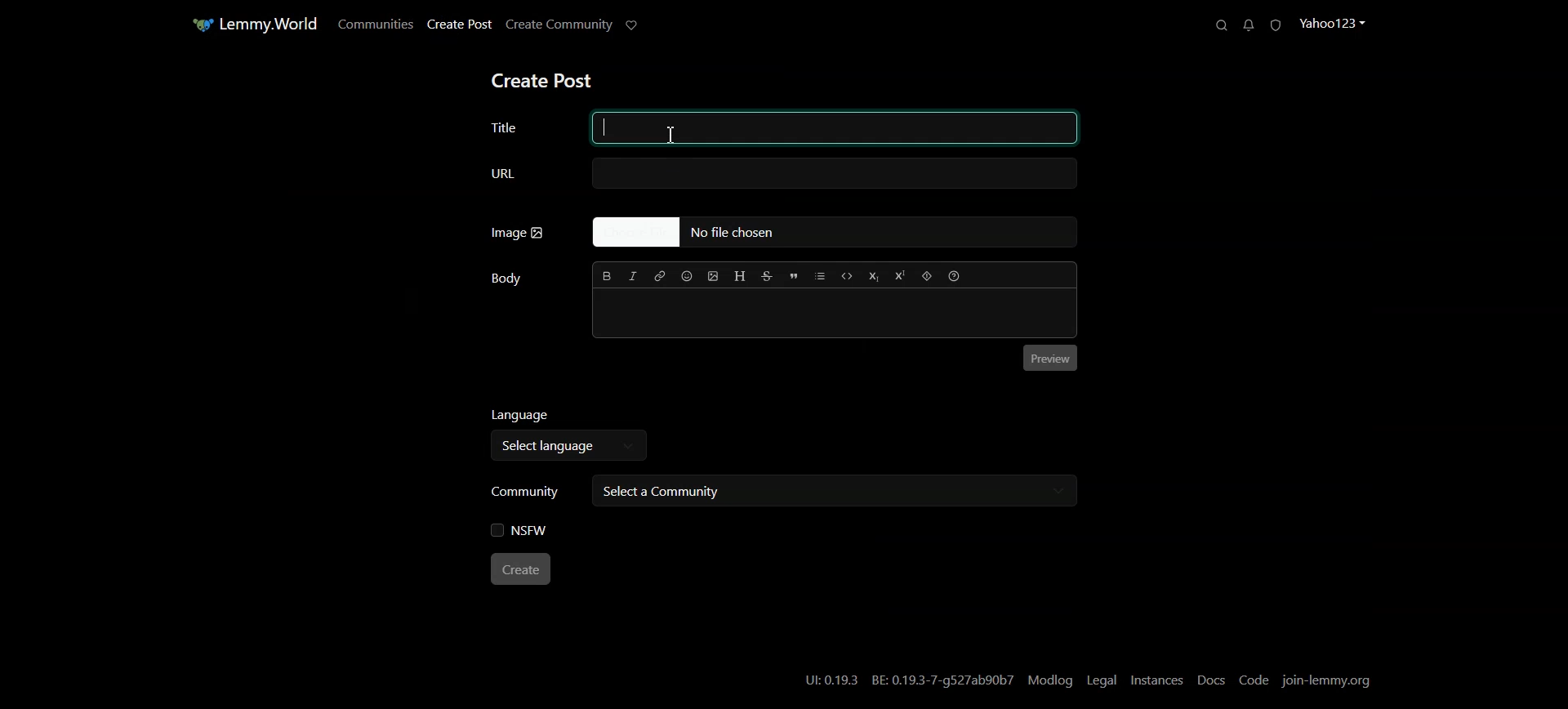 This screenshot has height=709, width=1568. Describe the element at coordinates (672, 136) in the screenshot. I see `Text cursor` at that location.